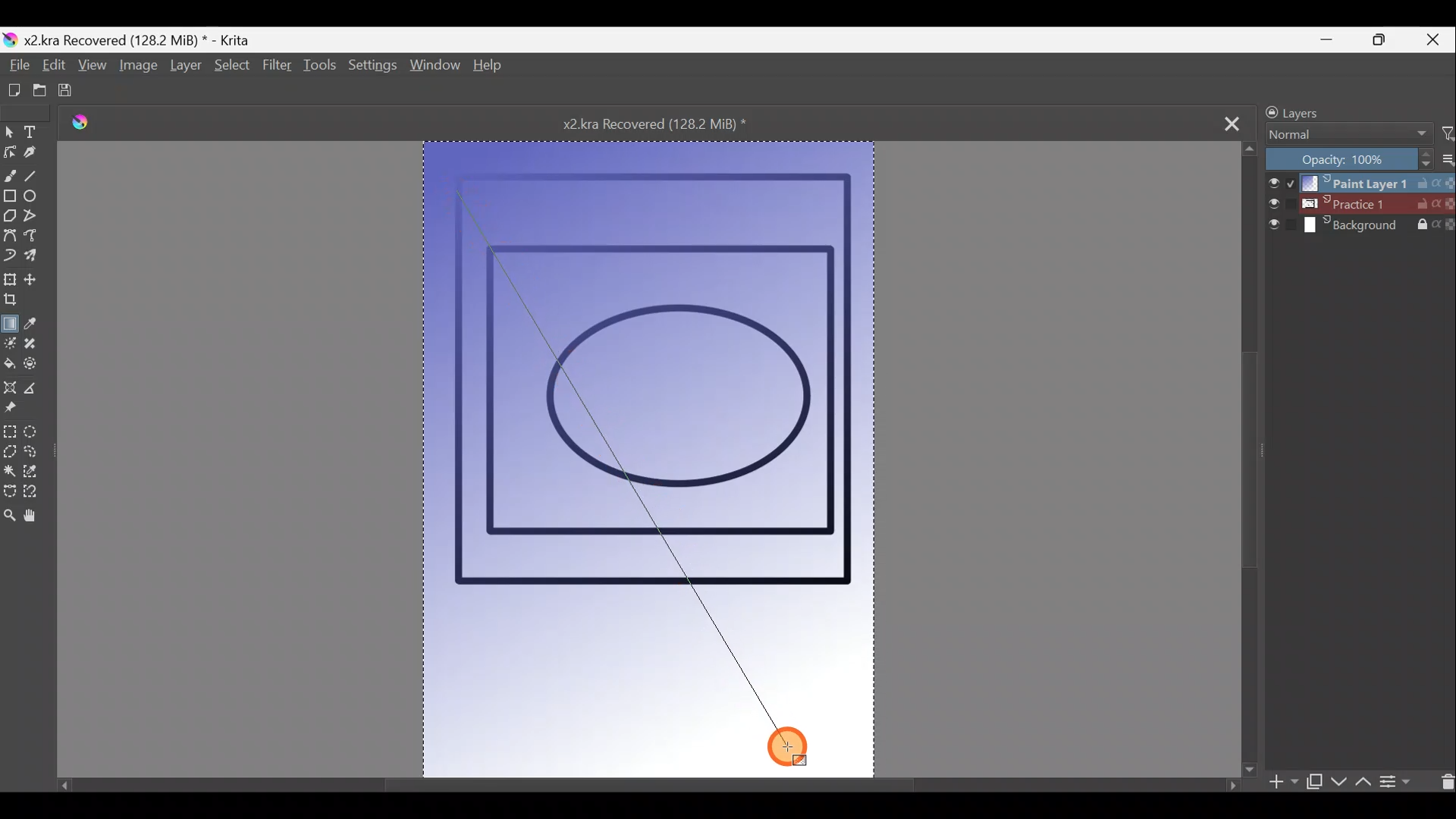  Describe the element at coordinates (10, 472) in the screenshot. I see `Contiguous selection tool` at that location.